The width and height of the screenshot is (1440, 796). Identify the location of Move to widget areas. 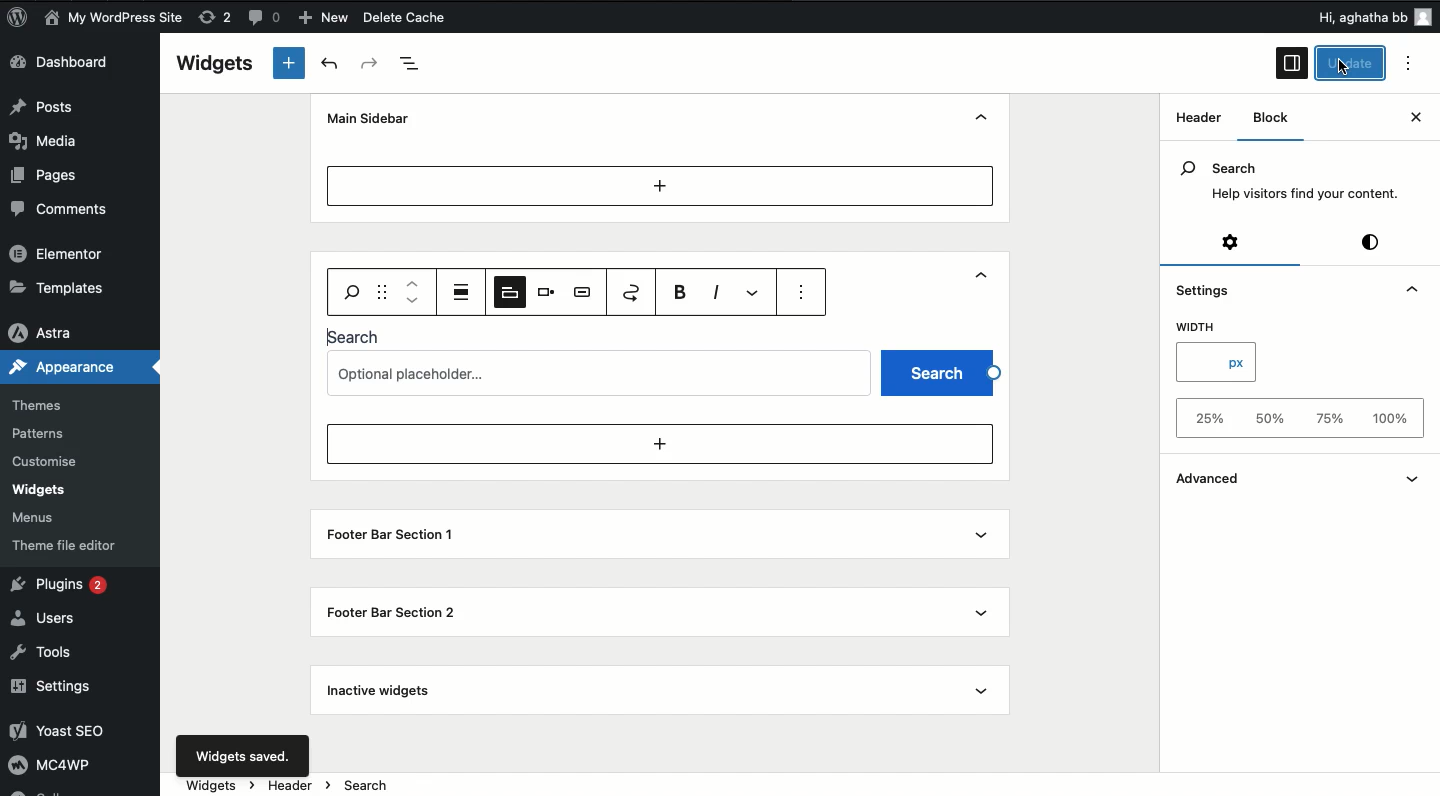
(633, 292).